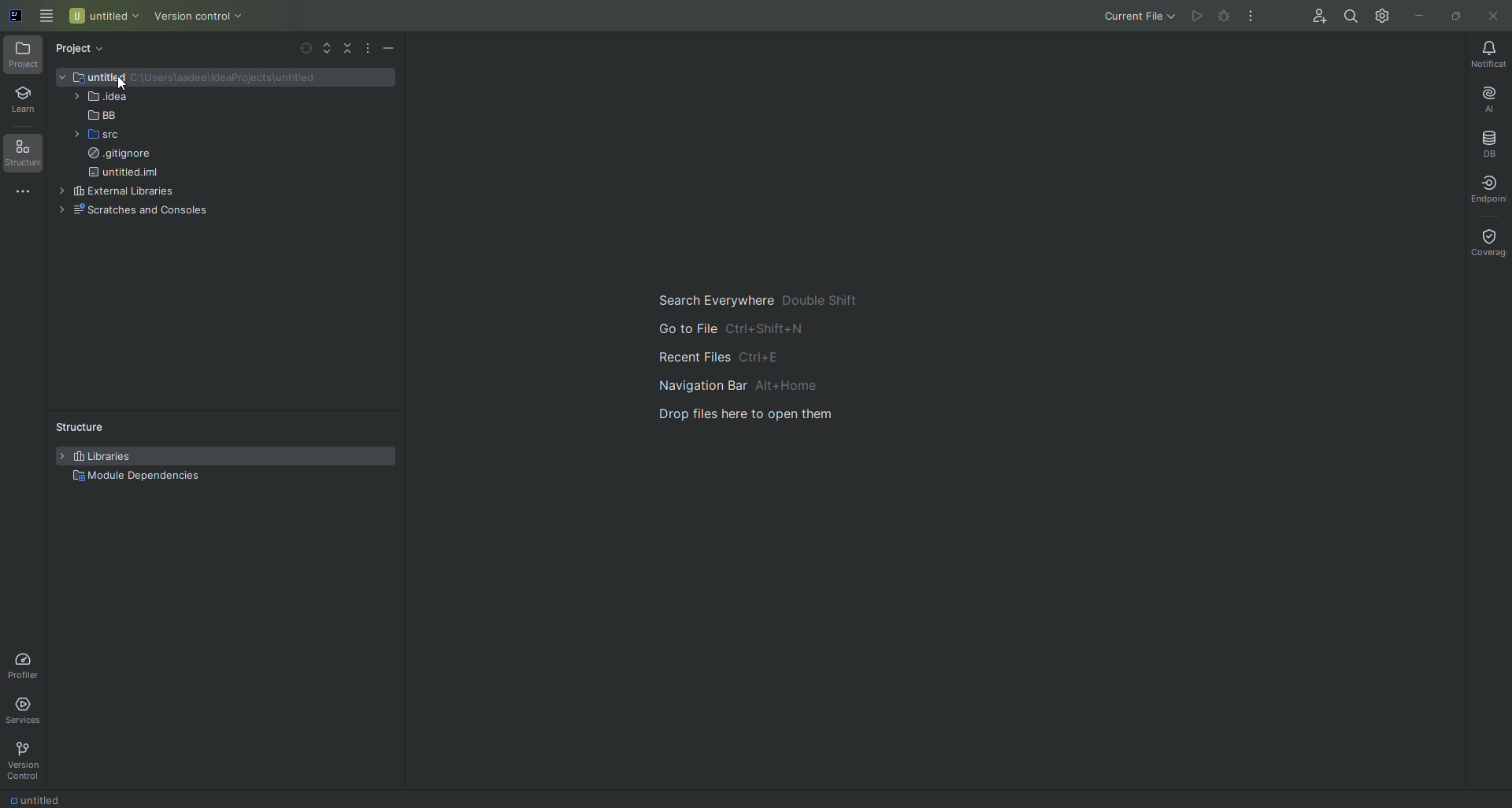 Image resolution: width=1512 pixels, height=808 pixels. I want to click on Version Control, so click(27, 761).